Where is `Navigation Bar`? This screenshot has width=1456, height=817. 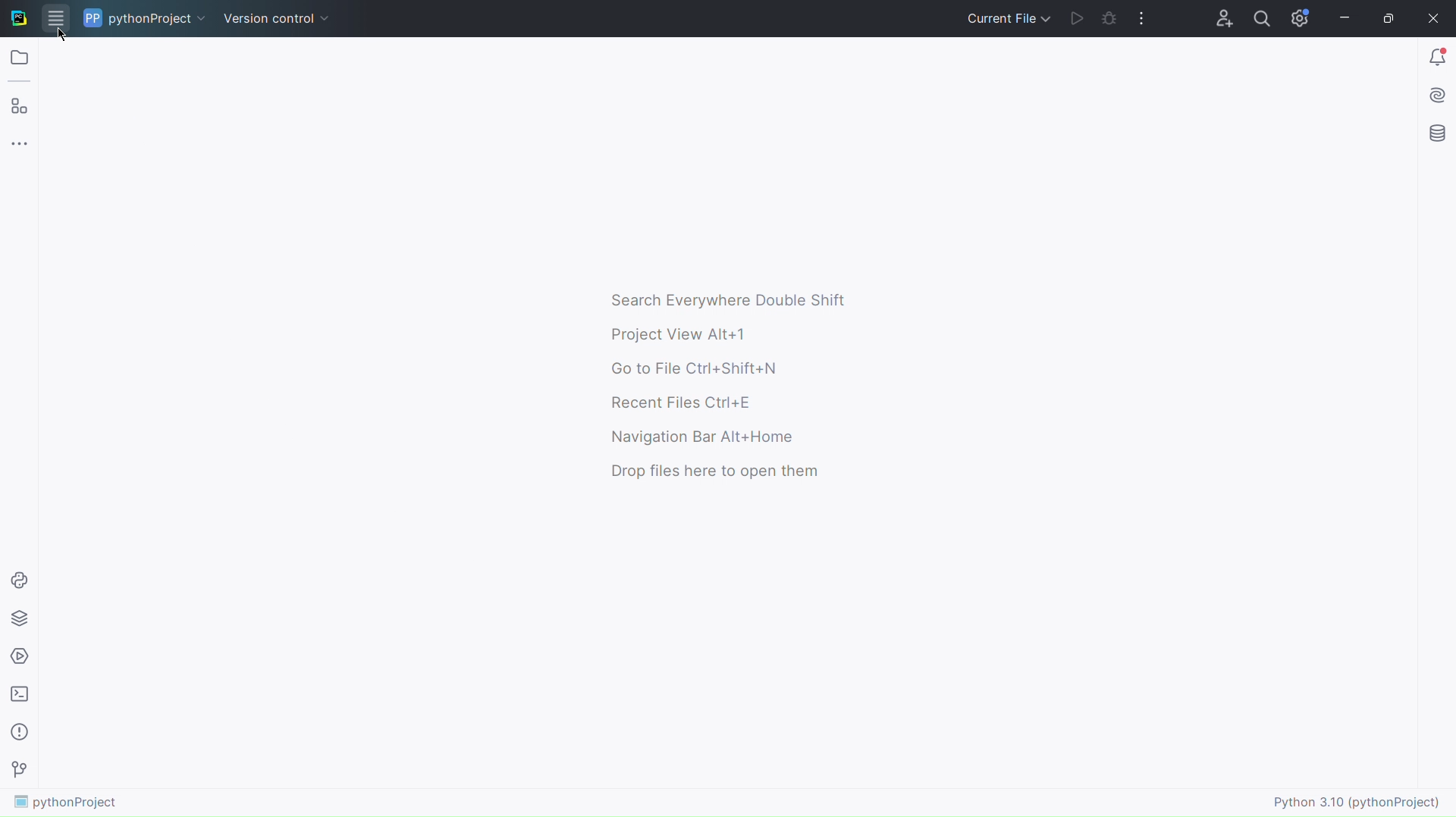 Navigation Bar is located at coordinates (698, 436).